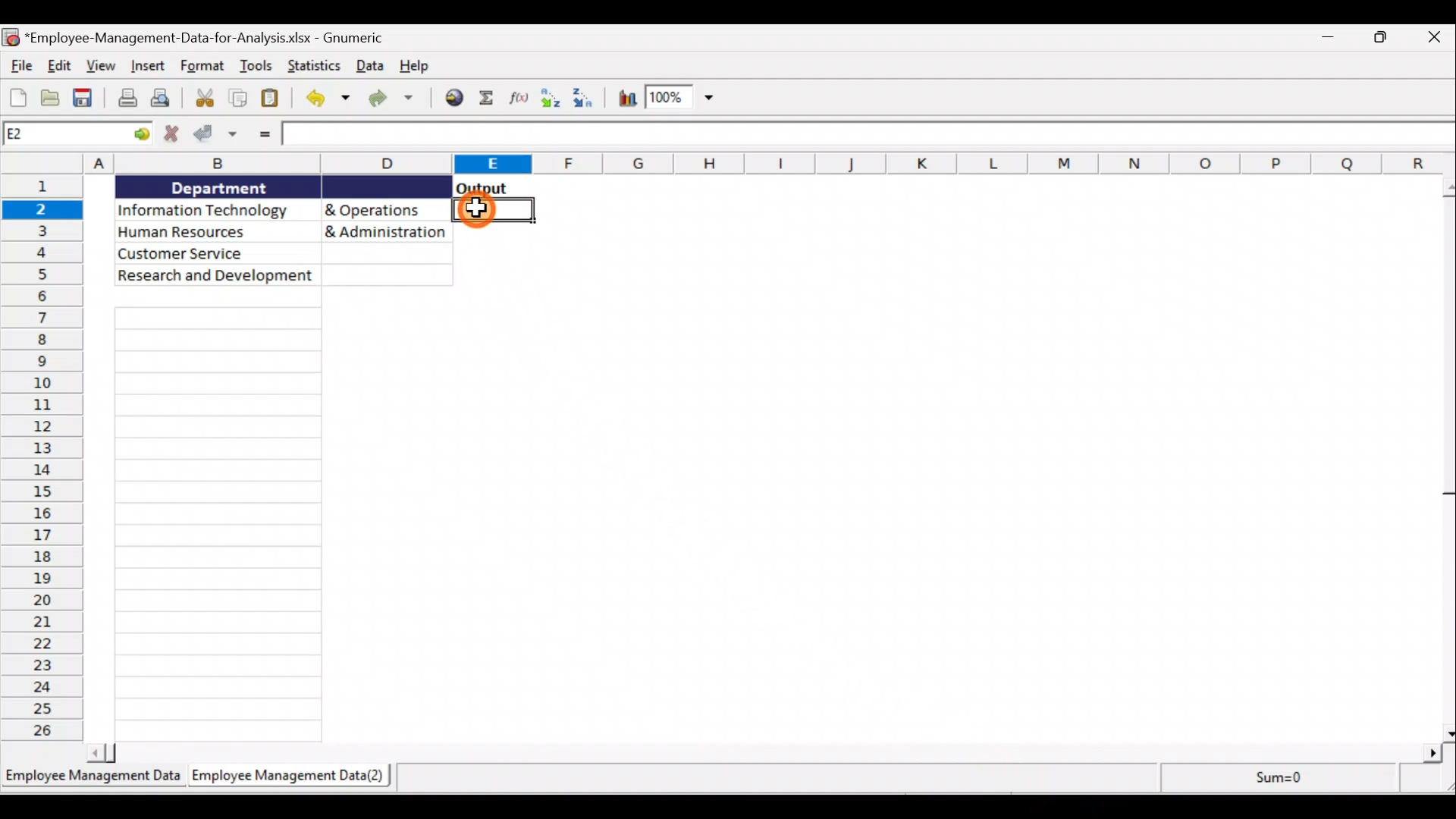  What do you see at coordinates (293, 777) in the screenshot?
I see `Sheet 2` at bounding box center [293, 777].